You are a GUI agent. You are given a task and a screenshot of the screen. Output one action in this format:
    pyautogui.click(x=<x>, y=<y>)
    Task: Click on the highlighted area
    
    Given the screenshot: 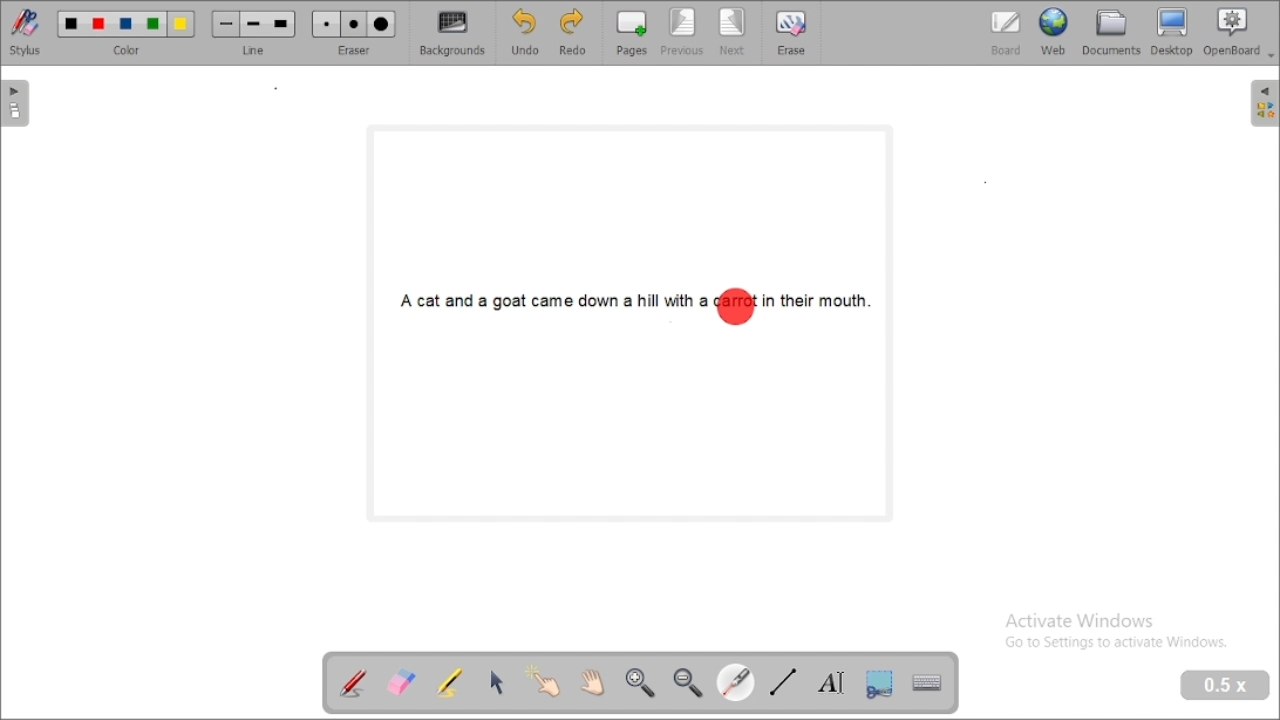 What is the action you would take?
    pyautogui.click(x=737, y=307)
    